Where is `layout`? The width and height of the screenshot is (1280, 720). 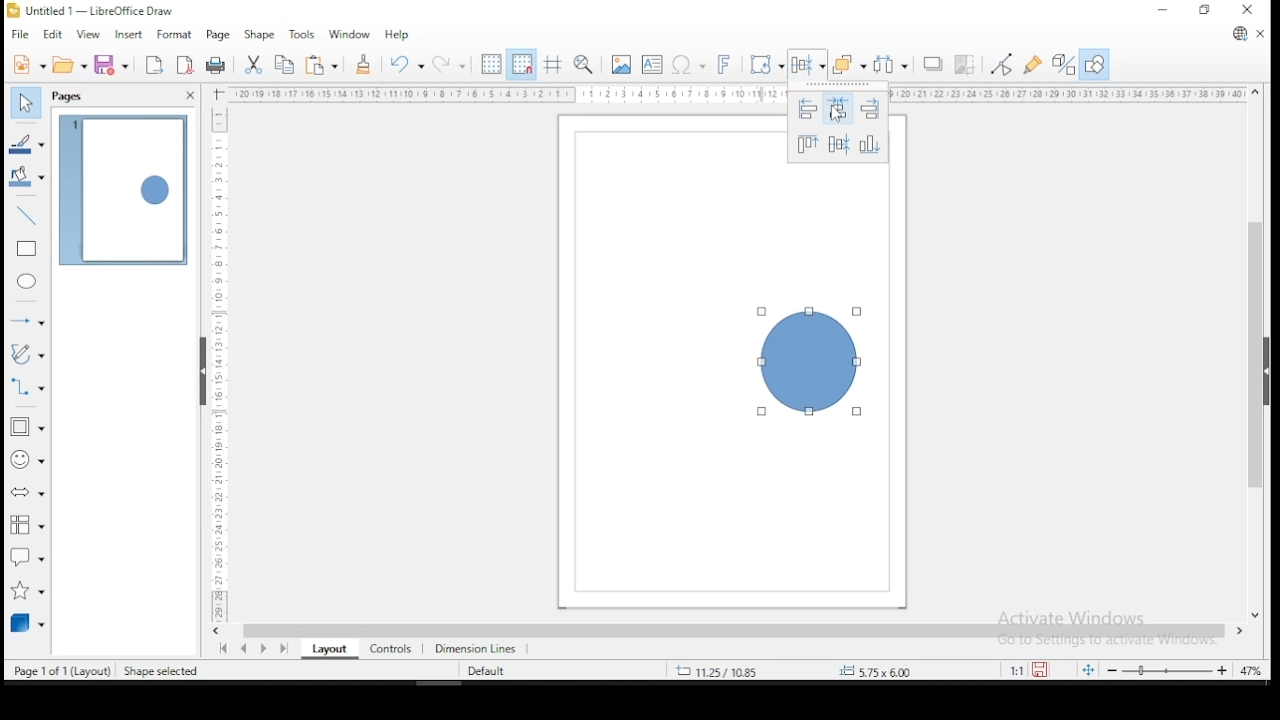
layout is located at coordinates (326, 649).